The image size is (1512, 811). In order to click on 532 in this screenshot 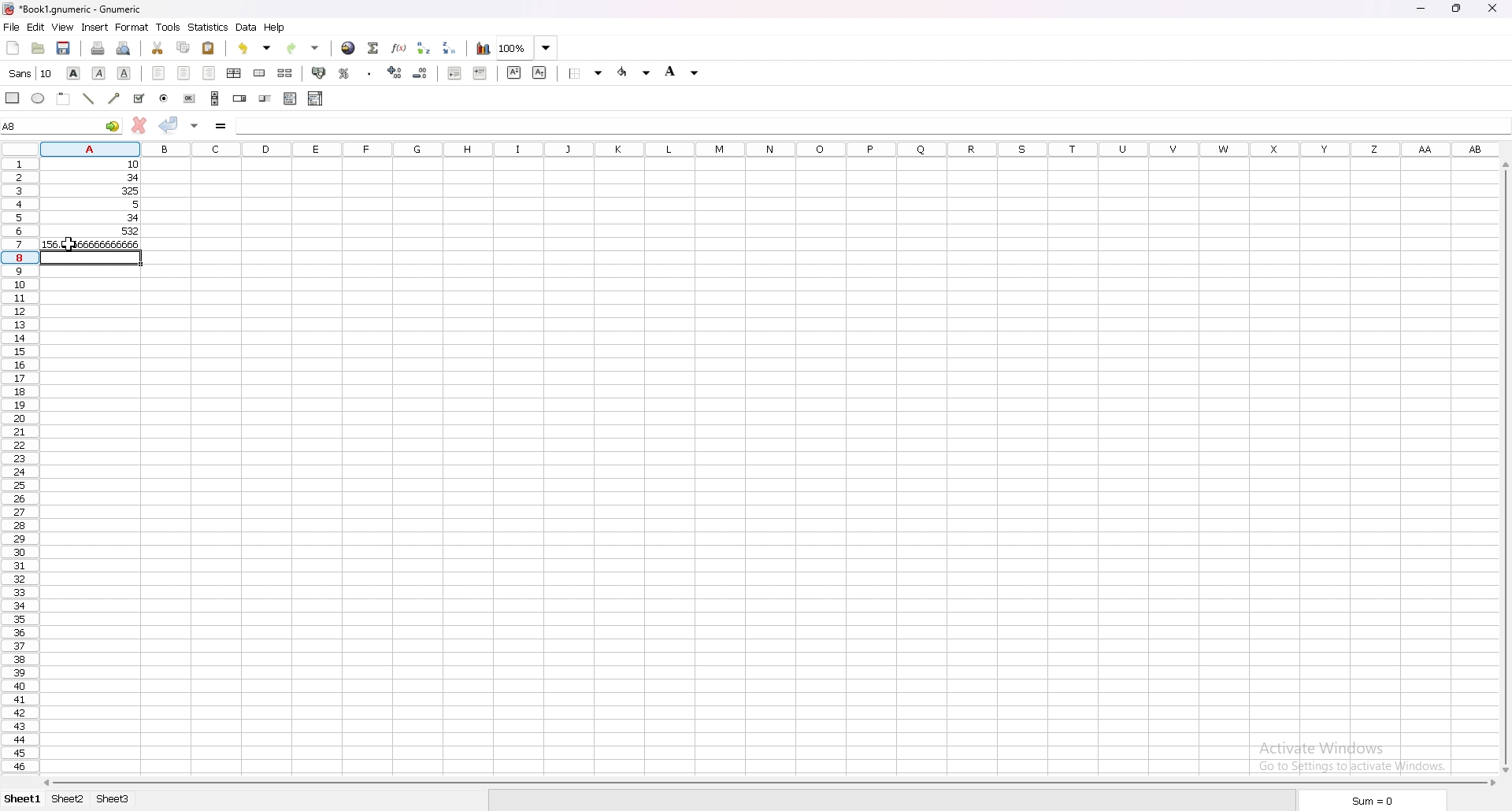, I will do `click(97, 231)`.